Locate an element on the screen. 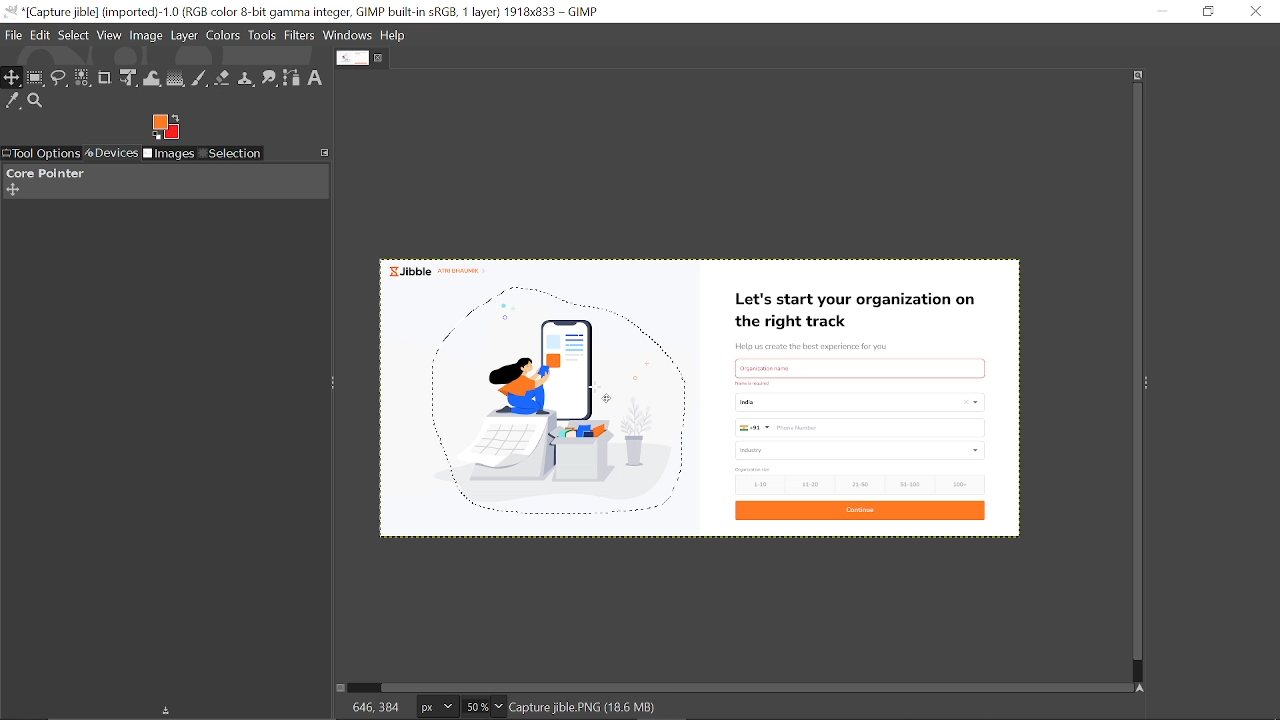 Image resolution: width=1280 pixels, height=720 pixels. Phon Numbers is located at coordinates (861, 428).